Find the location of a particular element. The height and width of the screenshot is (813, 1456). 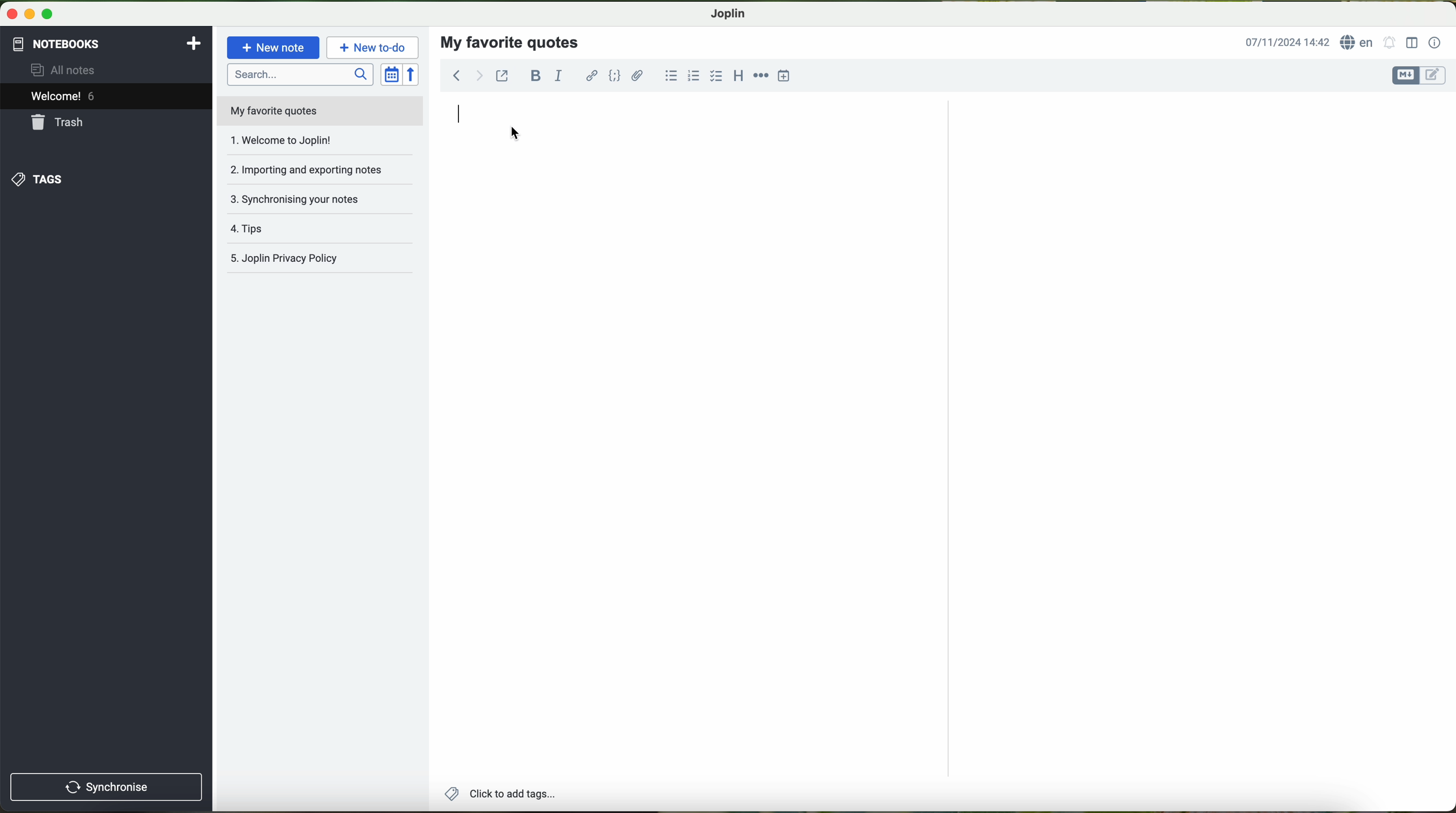

maximize is located at coordinates (47, 18).